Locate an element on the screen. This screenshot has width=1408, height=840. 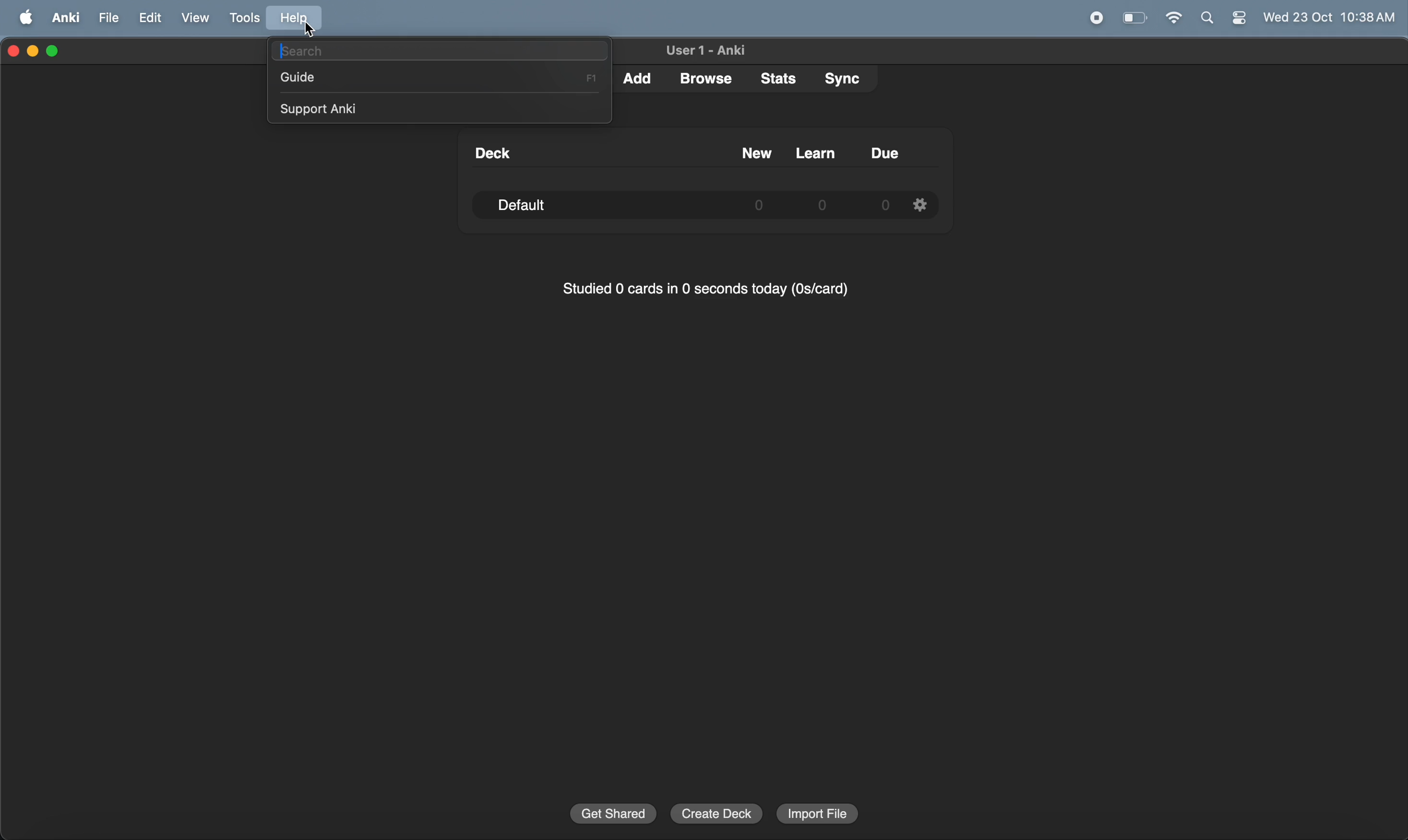
Toggles is located at coordinates (1239, 19).